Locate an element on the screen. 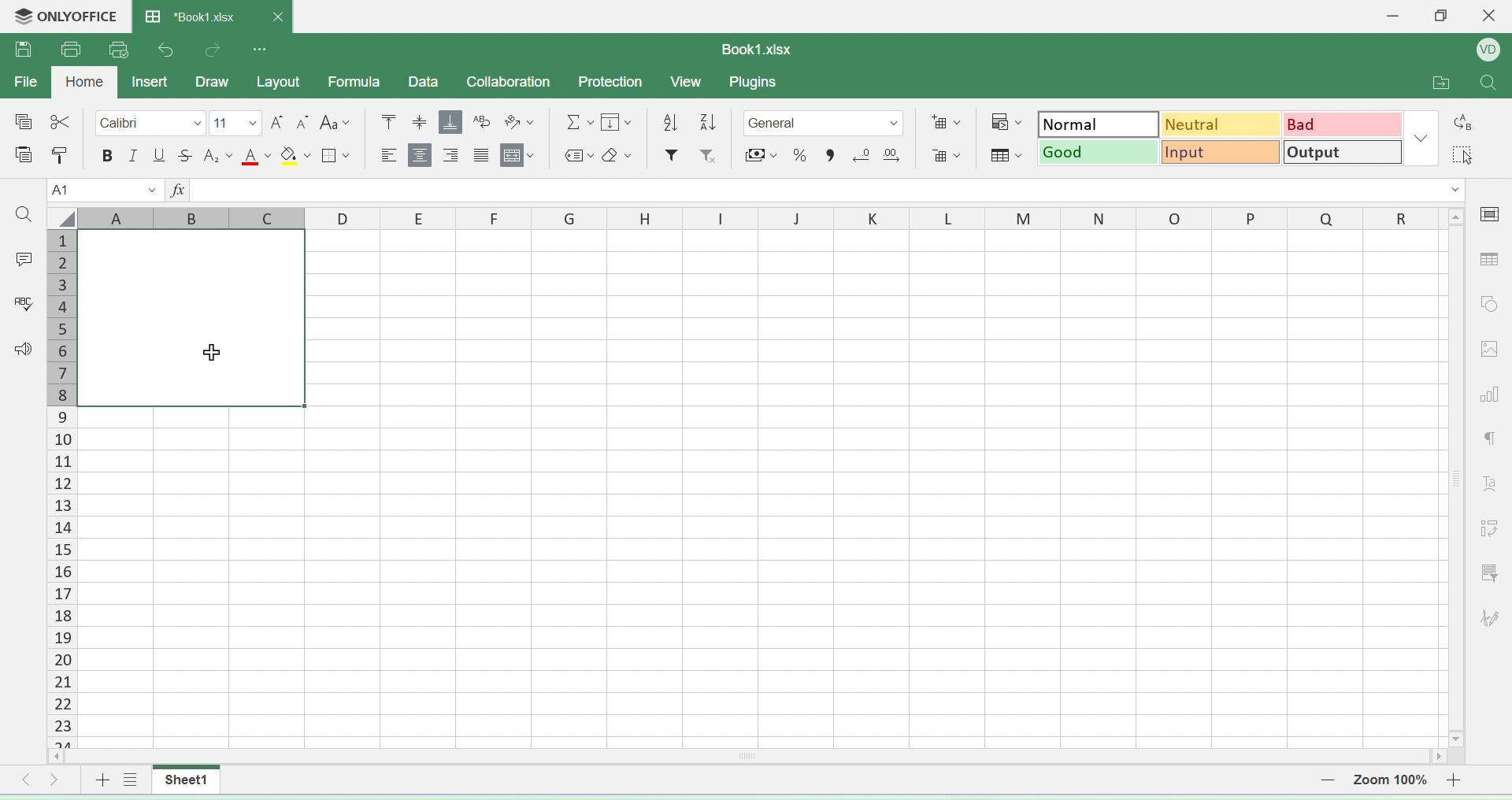 The height and width of the screenshot is (800, 1512). redo is located at coordinates (213, 50).